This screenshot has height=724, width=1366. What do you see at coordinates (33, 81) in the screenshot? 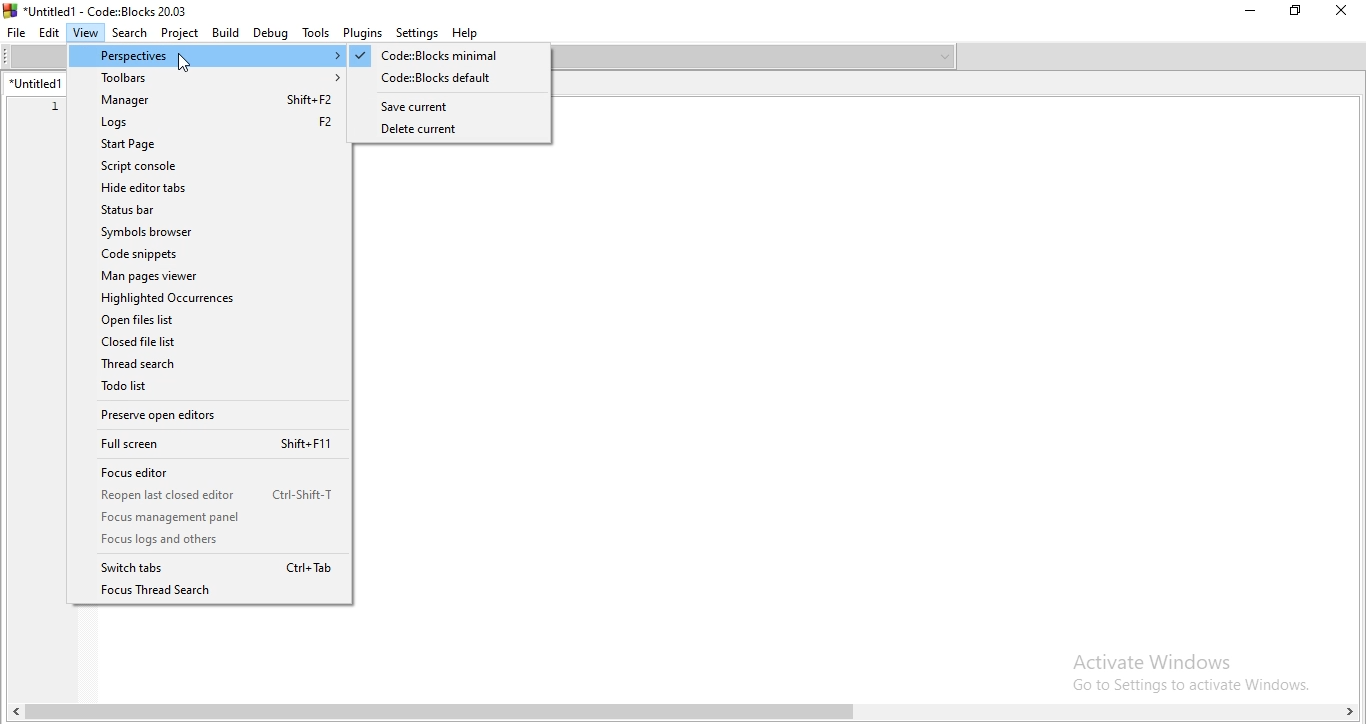
I see `untitled 1` at bounding box center [33, 81].